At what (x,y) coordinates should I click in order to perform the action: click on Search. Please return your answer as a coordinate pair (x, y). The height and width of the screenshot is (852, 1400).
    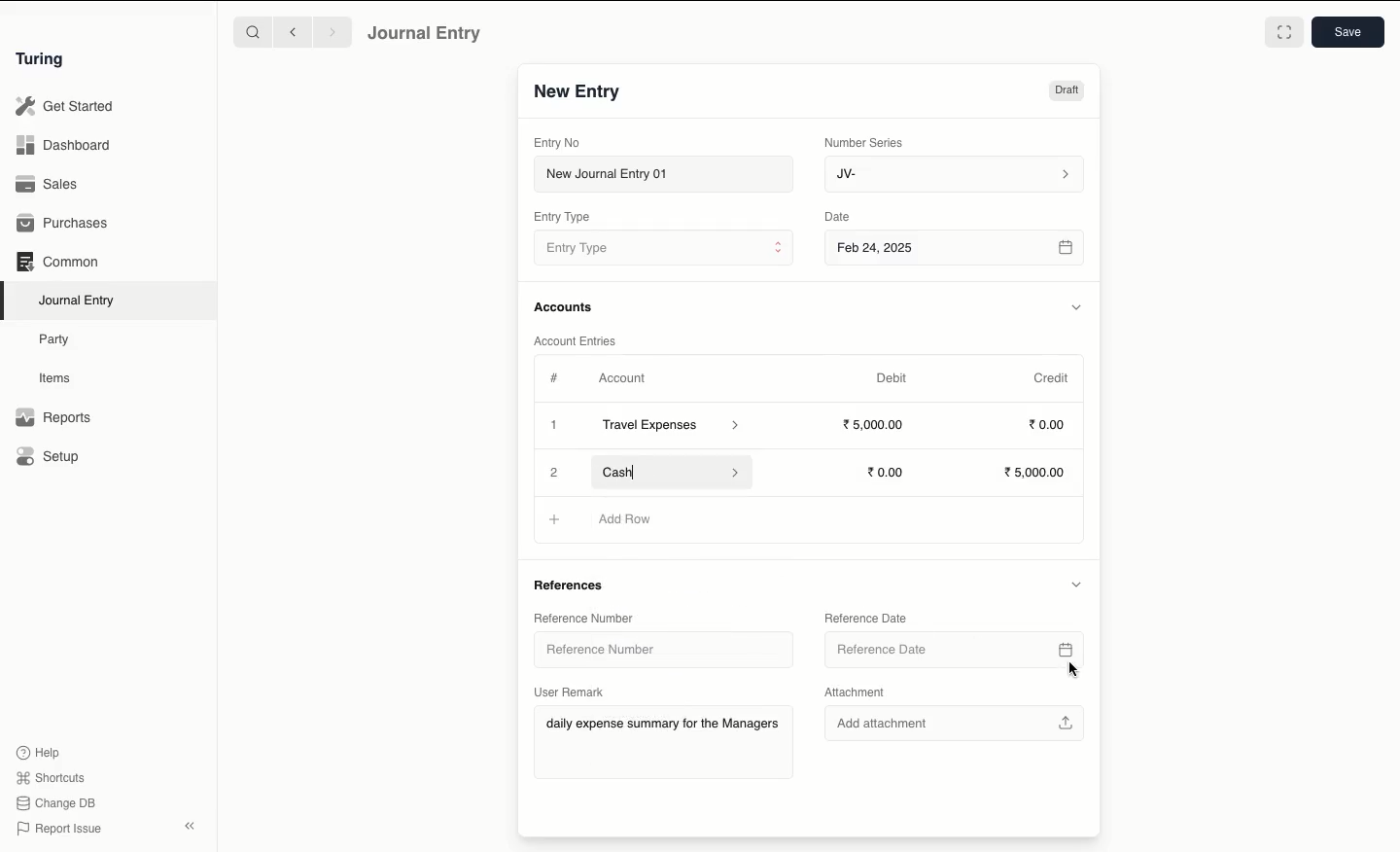
    Looking at the image, I should click on (252, 31).